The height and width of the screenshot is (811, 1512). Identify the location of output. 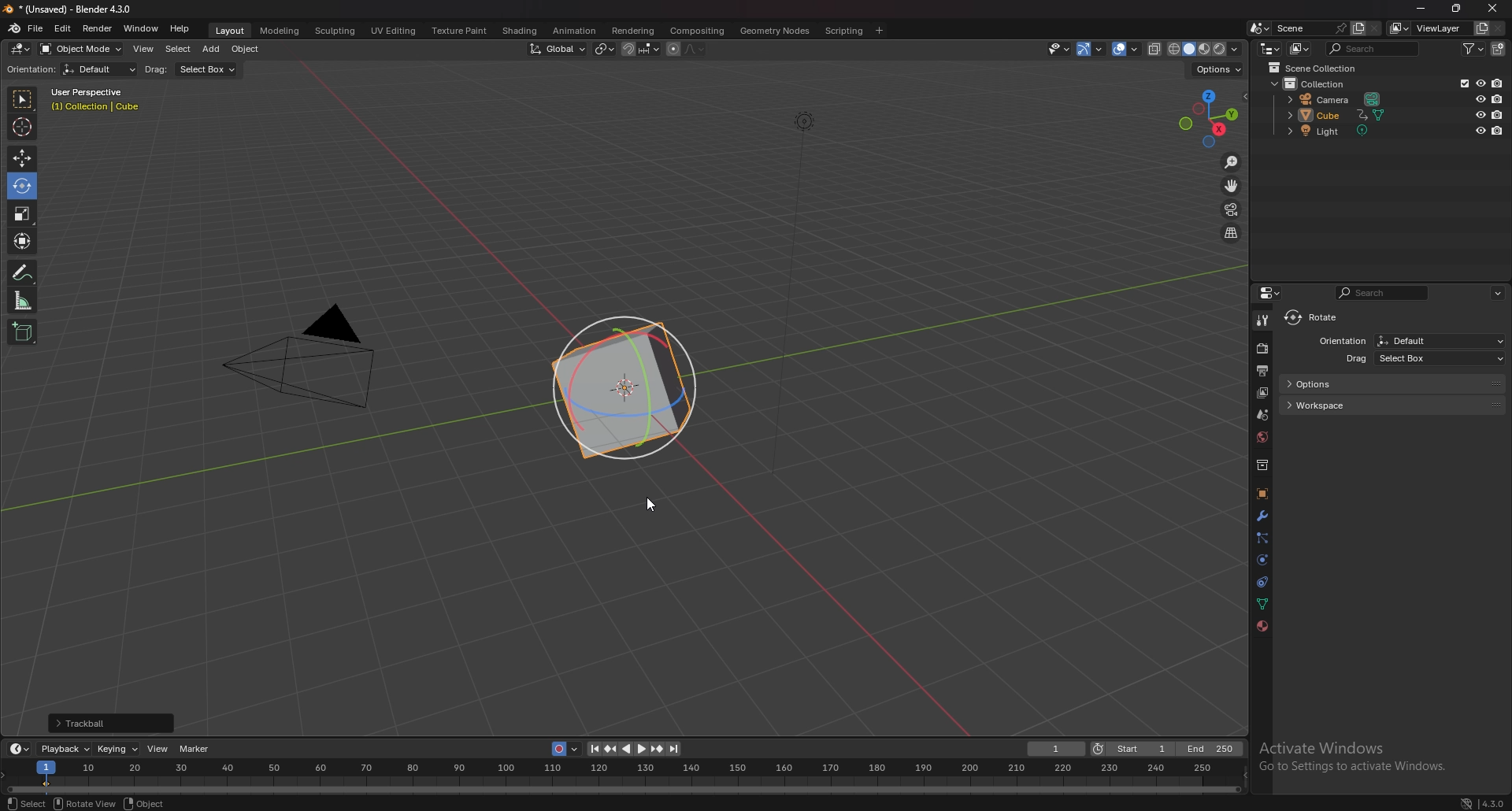
(1262, 370).